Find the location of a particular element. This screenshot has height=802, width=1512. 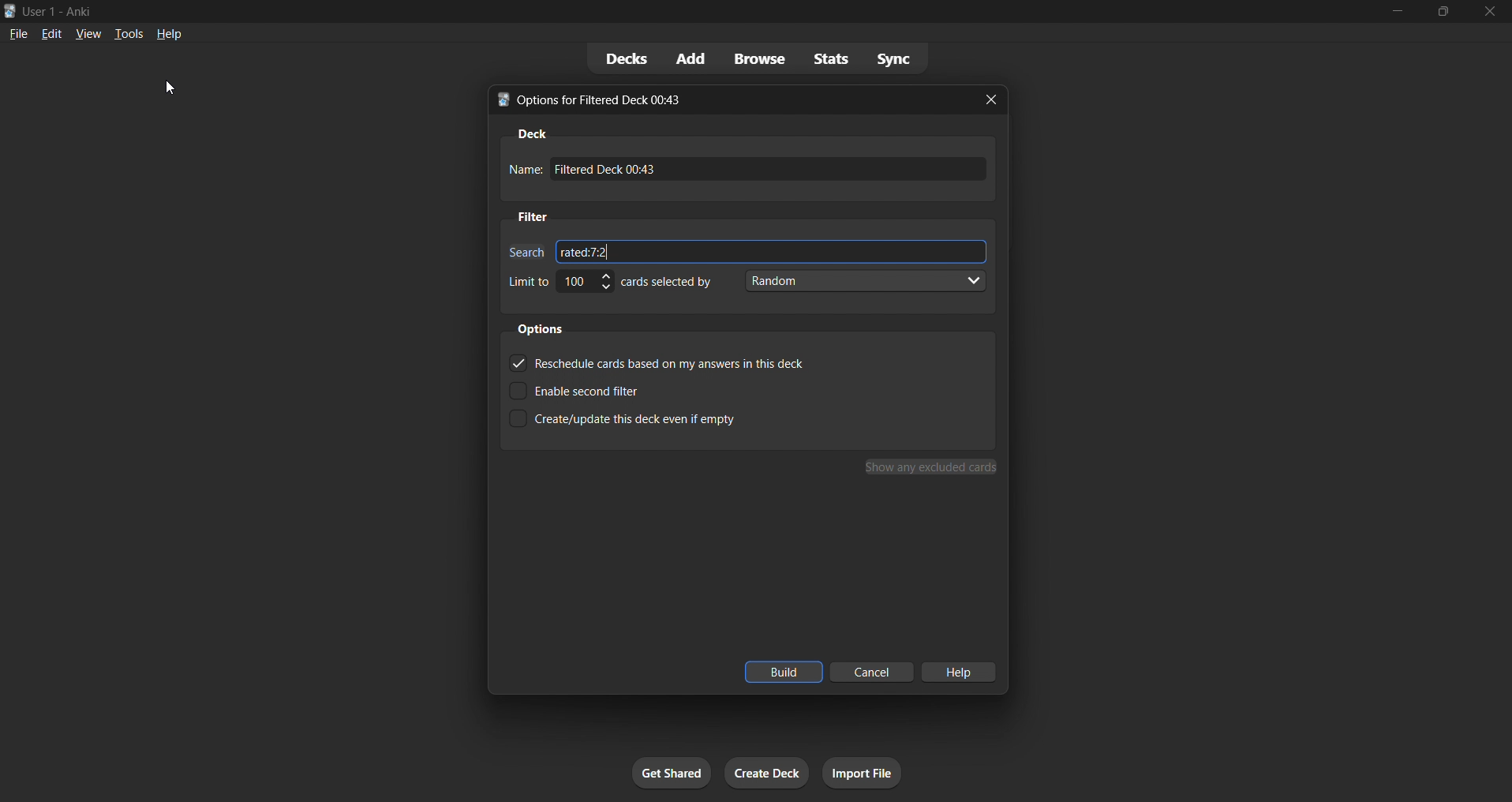

Enable second filter is located at coordinates (603, 388).